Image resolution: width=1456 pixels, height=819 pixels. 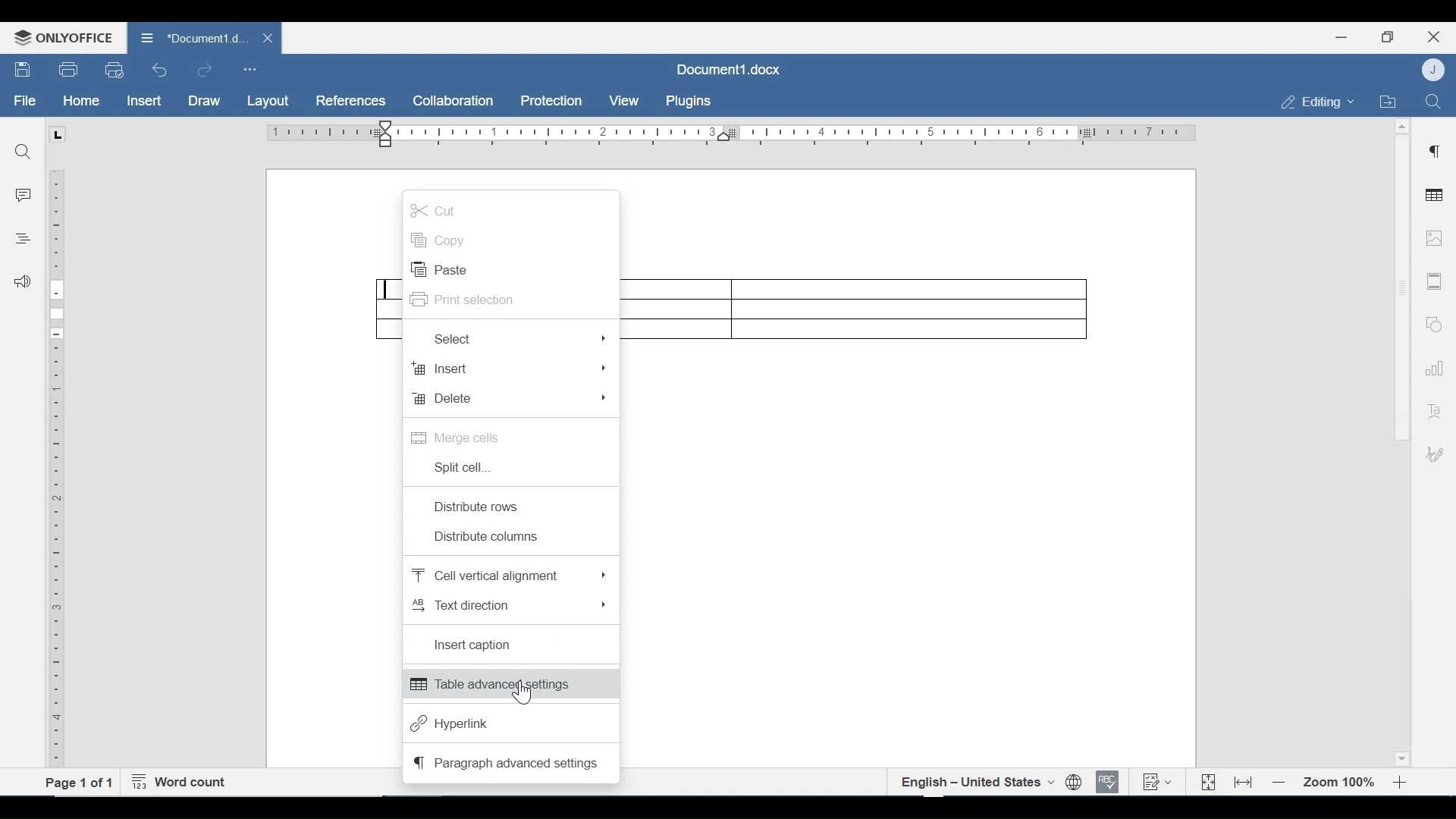 I want to click on Copy, so click(x=440, y=240).